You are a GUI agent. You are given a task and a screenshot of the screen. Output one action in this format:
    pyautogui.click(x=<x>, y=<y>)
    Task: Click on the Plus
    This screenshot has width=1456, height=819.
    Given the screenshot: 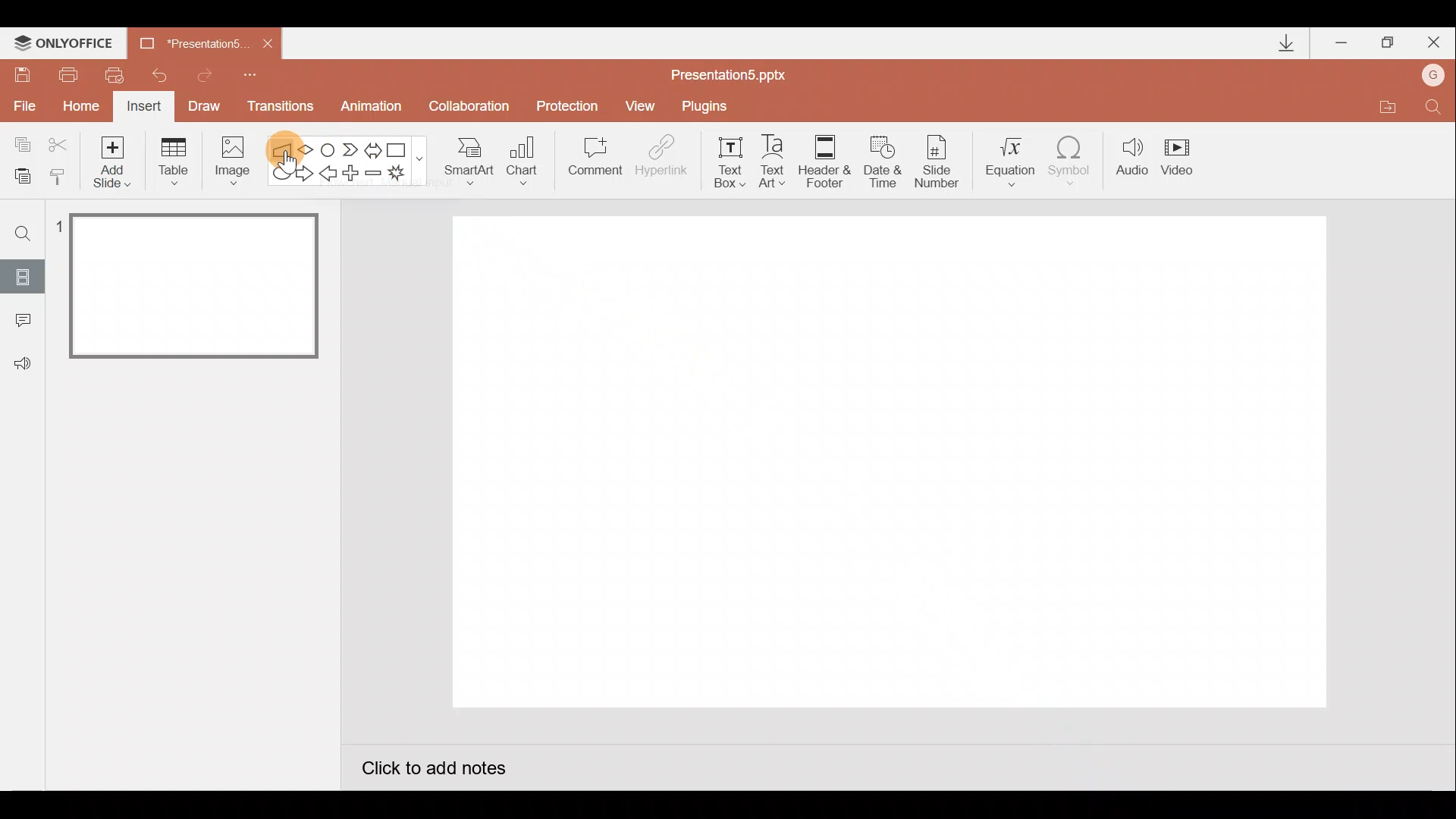 What is the action you would take?
    pyautogui.click(x=353, y=175)
    